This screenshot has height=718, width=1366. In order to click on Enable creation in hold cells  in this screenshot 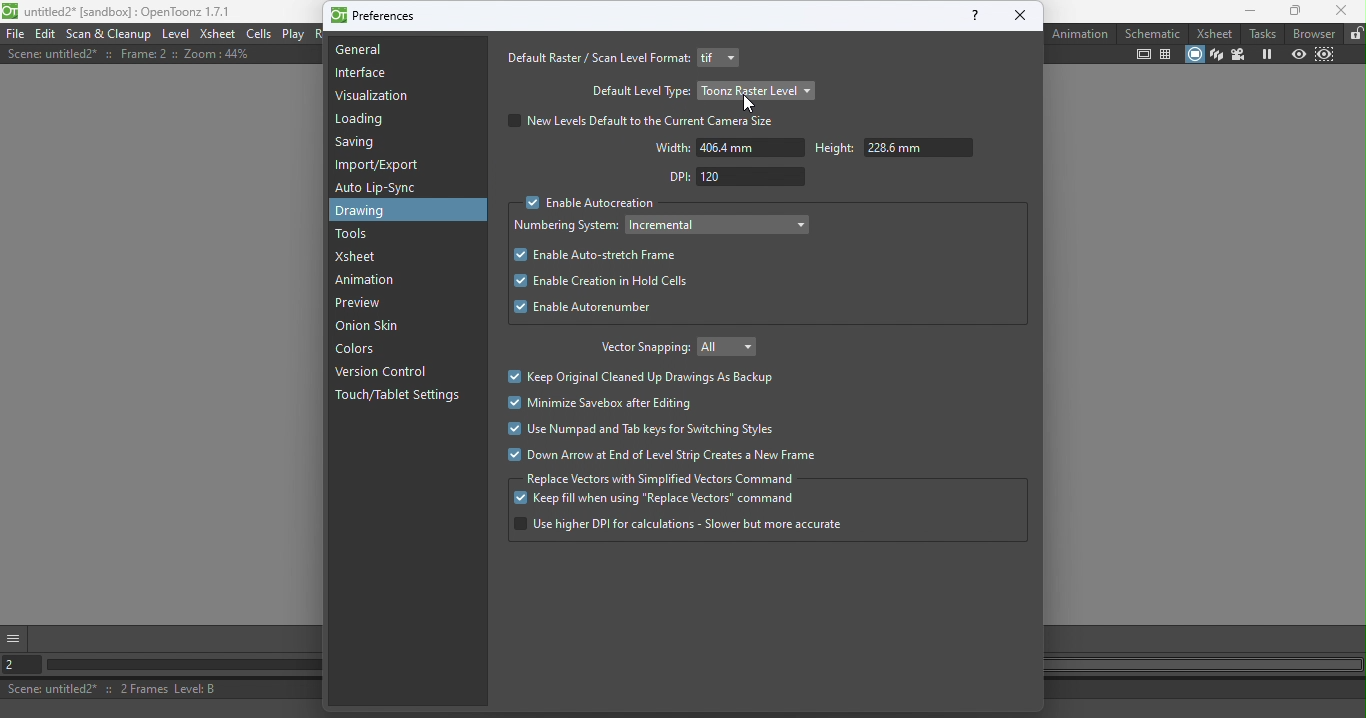, I will do `click(595, 283)`.